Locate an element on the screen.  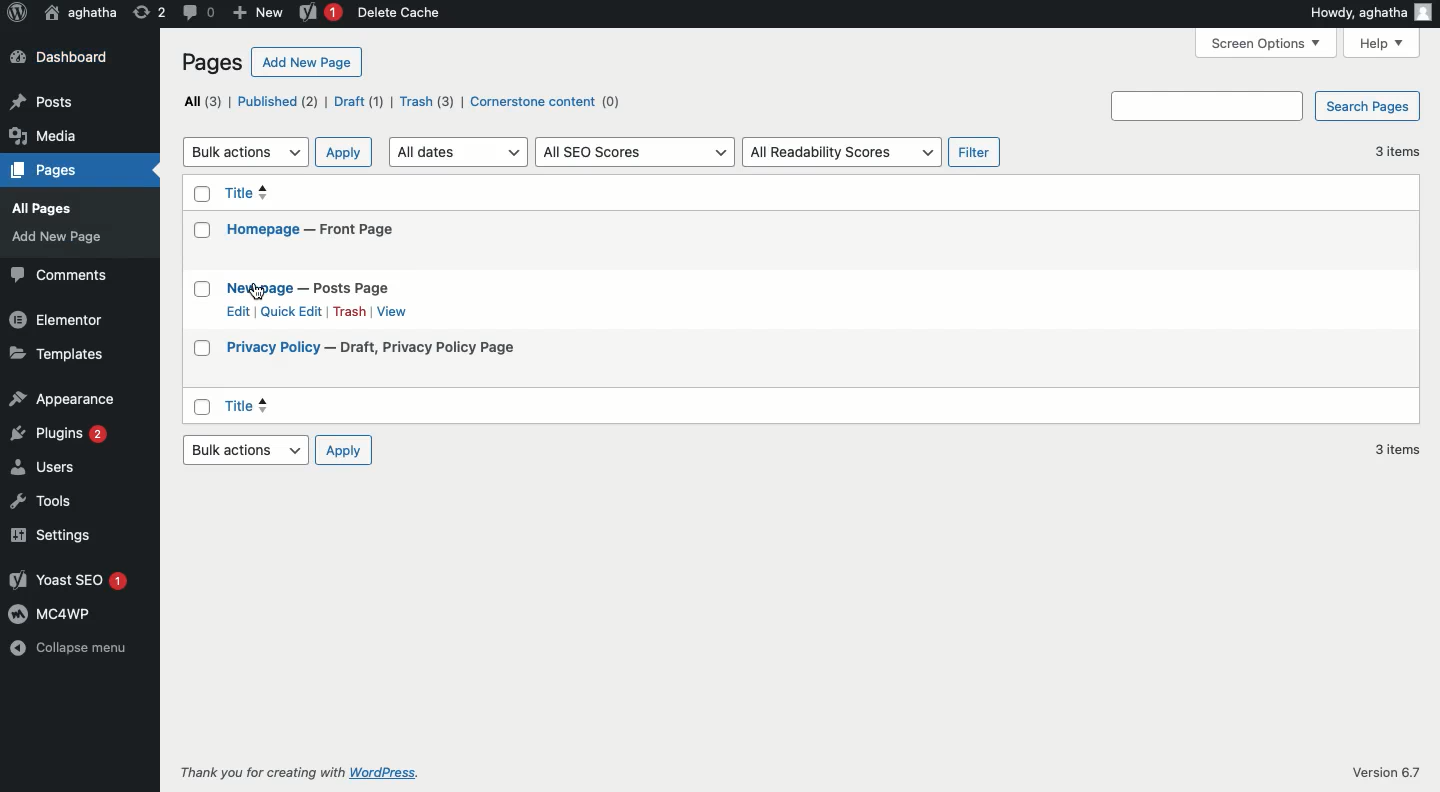
Sort by Title is located at coordinates (377, 404).